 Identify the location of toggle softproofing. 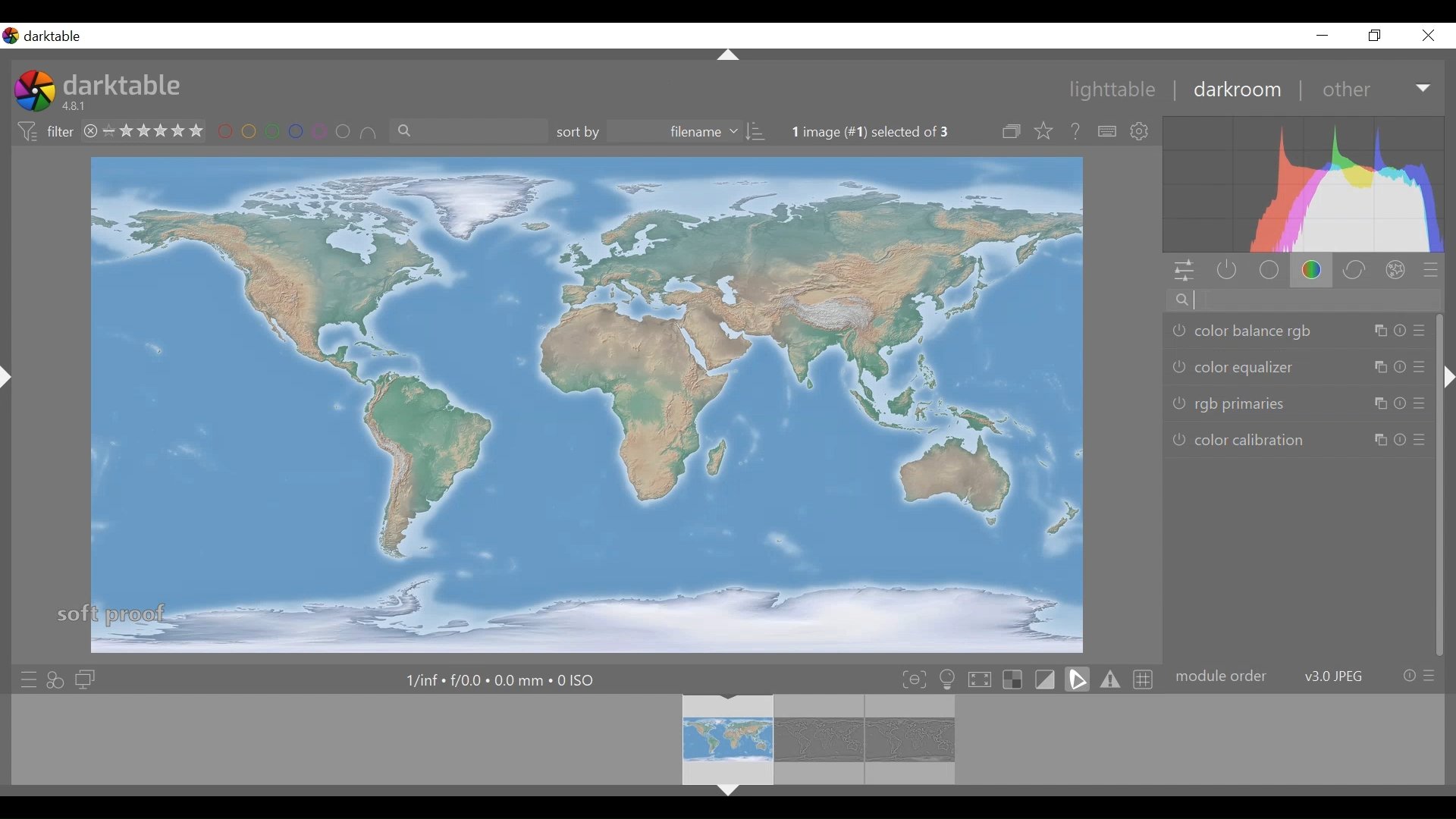
(1077, 679).